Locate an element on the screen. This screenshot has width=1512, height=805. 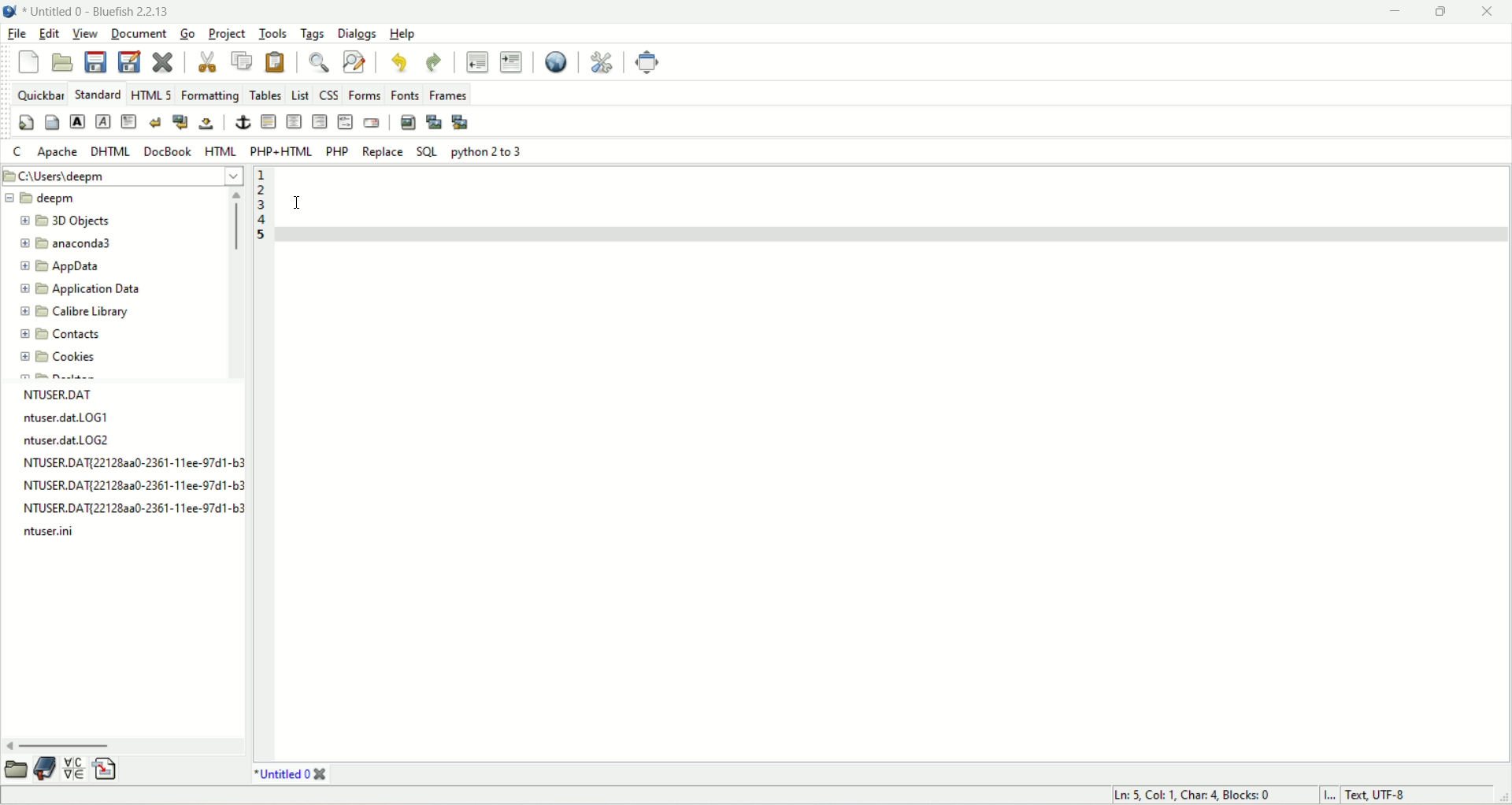
break and clean is located at coordinates (180, 124).